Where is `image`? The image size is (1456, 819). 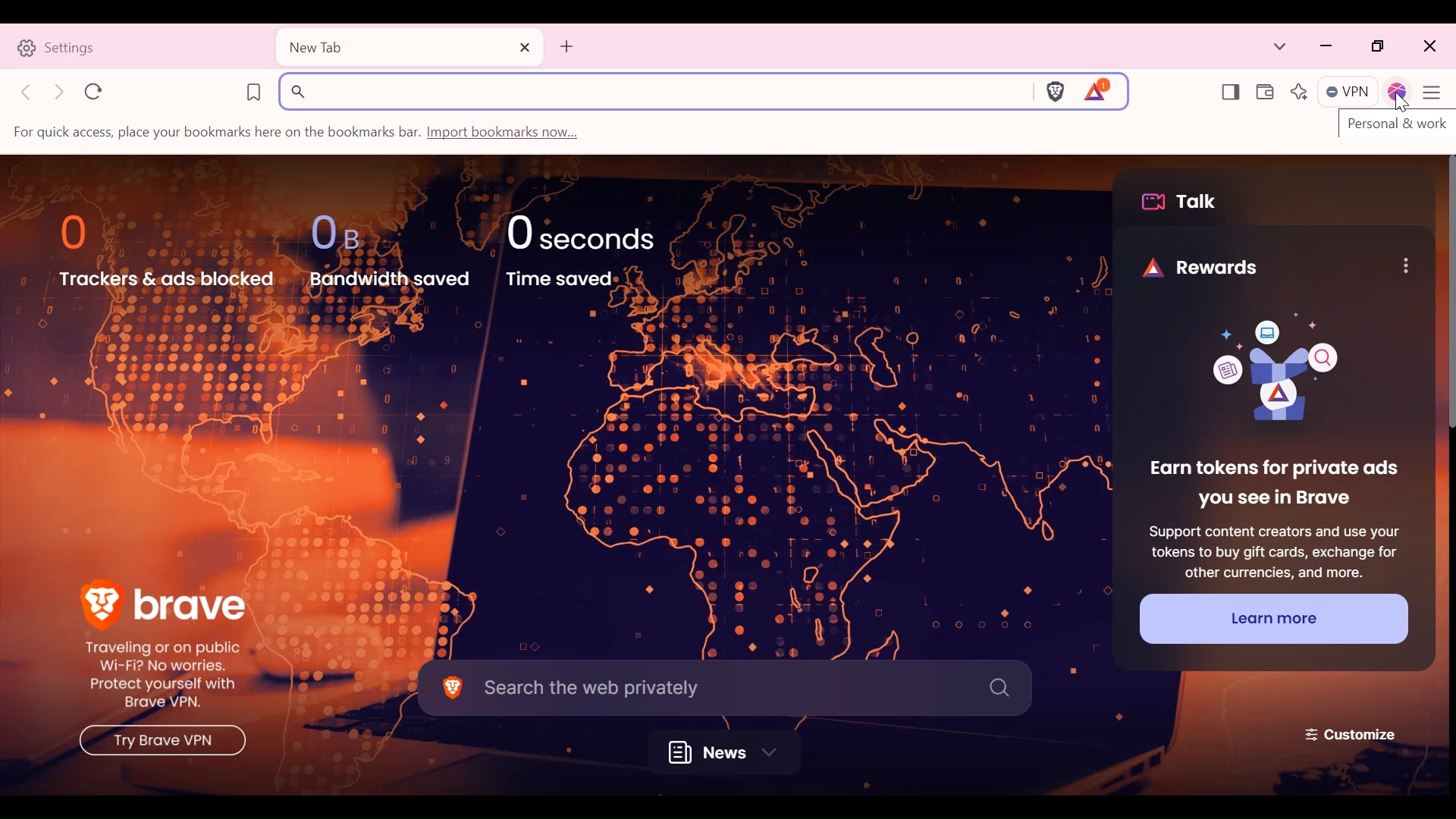 image is located at coordinates (1265, 372).